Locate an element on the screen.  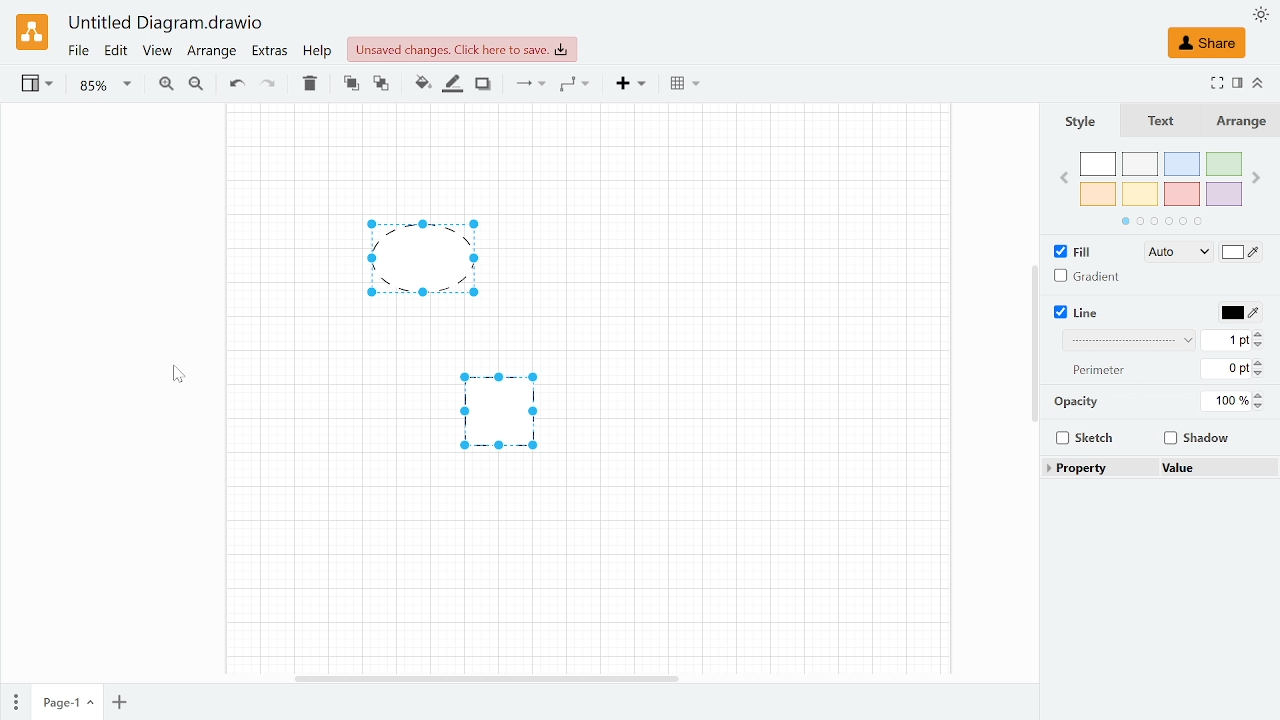
Shadow is located at coordinates (1194, 440).